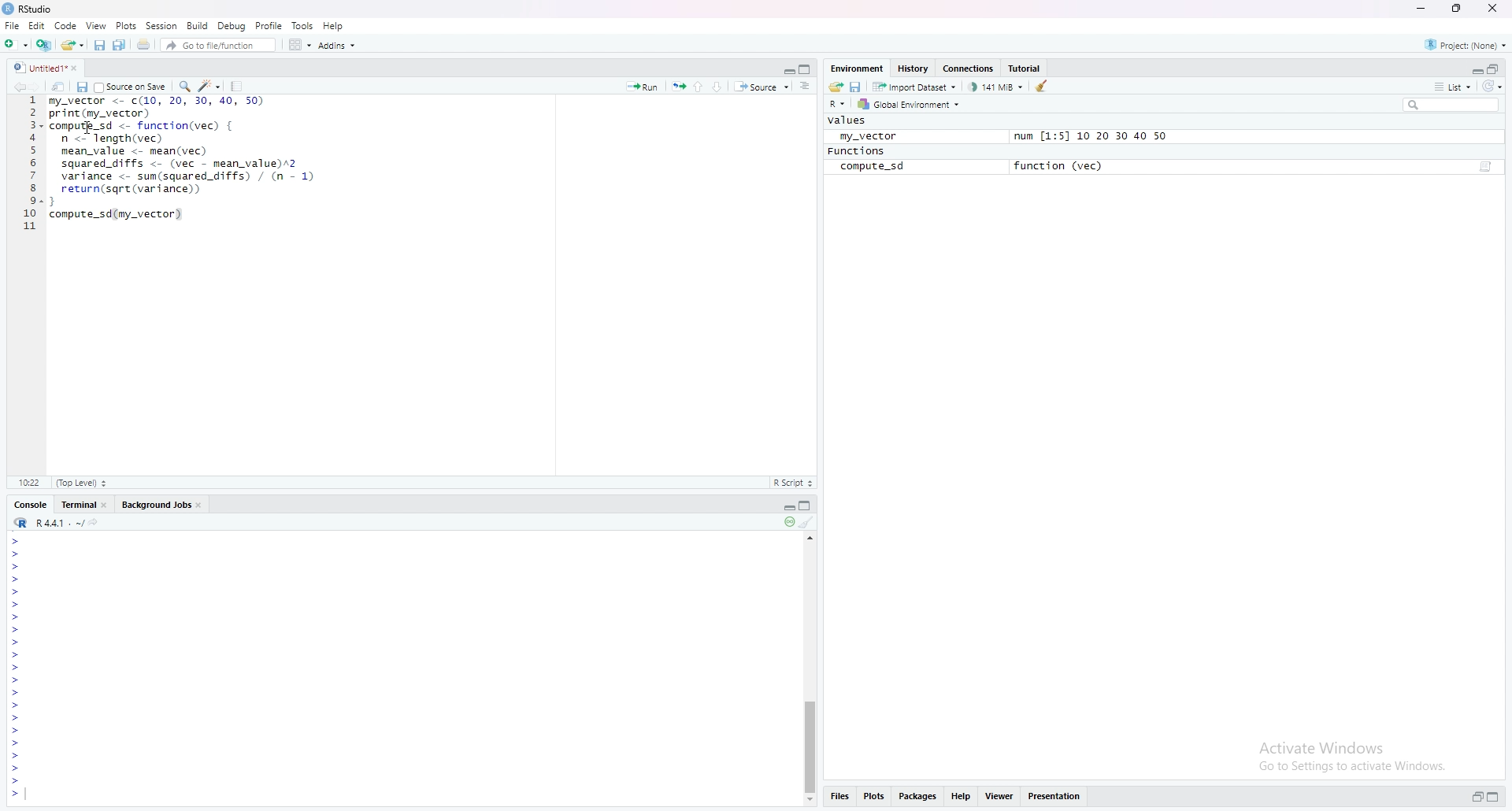  Describe the element at coordinates (99, 45) in the screenshot. I see `Save current document (Ctrl + S)` at that location.